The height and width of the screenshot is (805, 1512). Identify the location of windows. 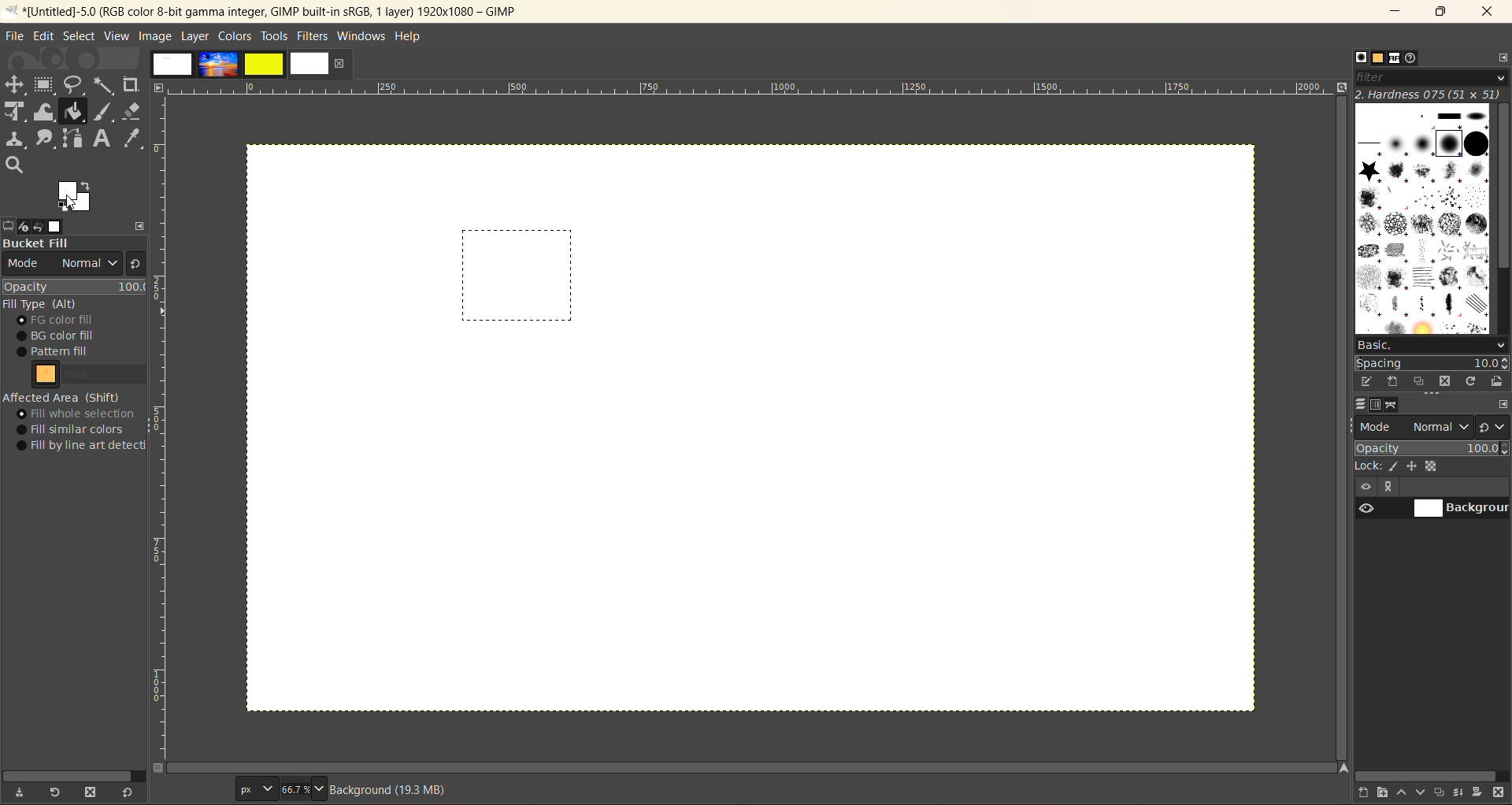
(363, 36).